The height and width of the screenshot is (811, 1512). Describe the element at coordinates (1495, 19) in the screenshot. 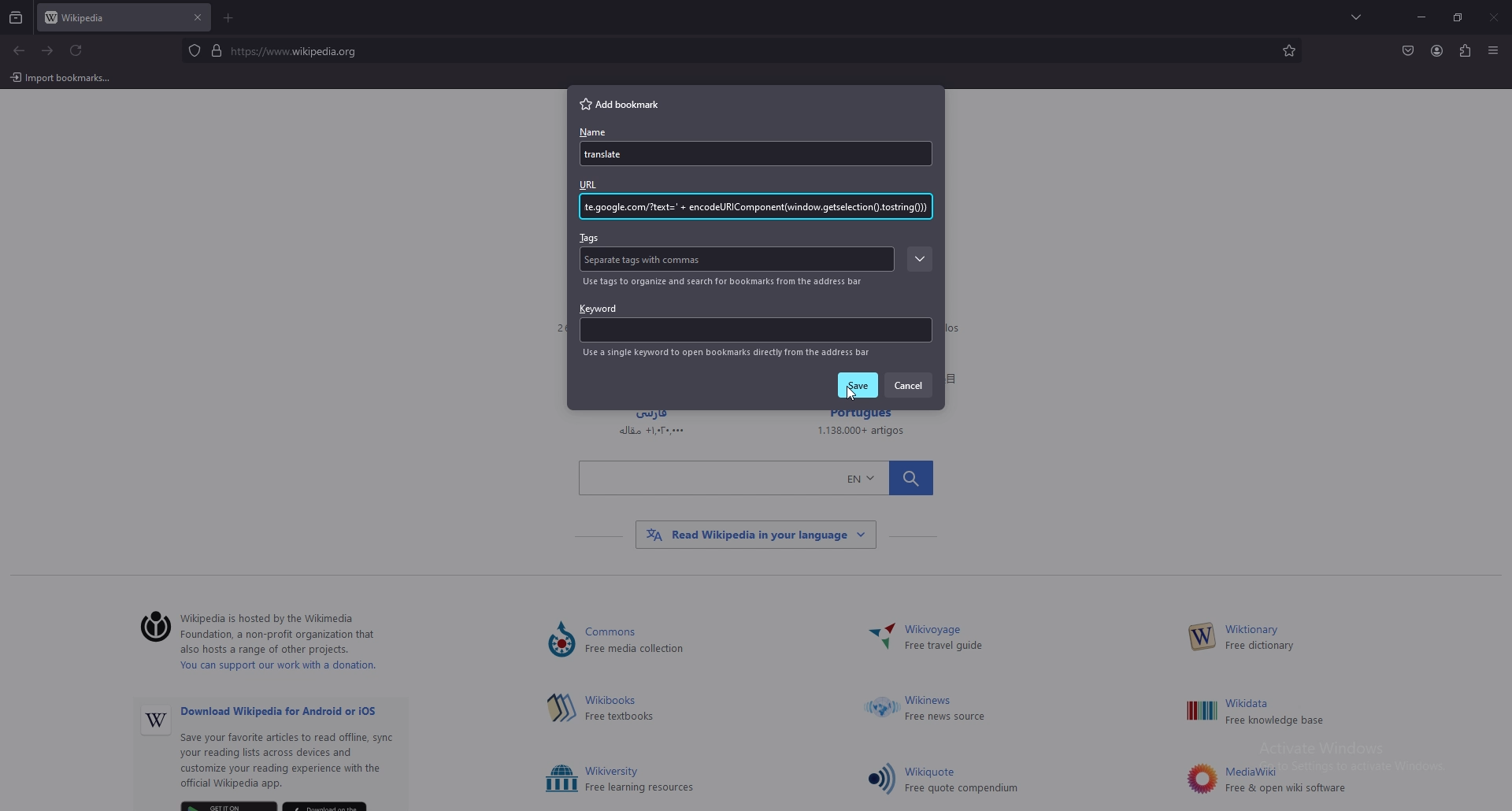

I see `` at that location.